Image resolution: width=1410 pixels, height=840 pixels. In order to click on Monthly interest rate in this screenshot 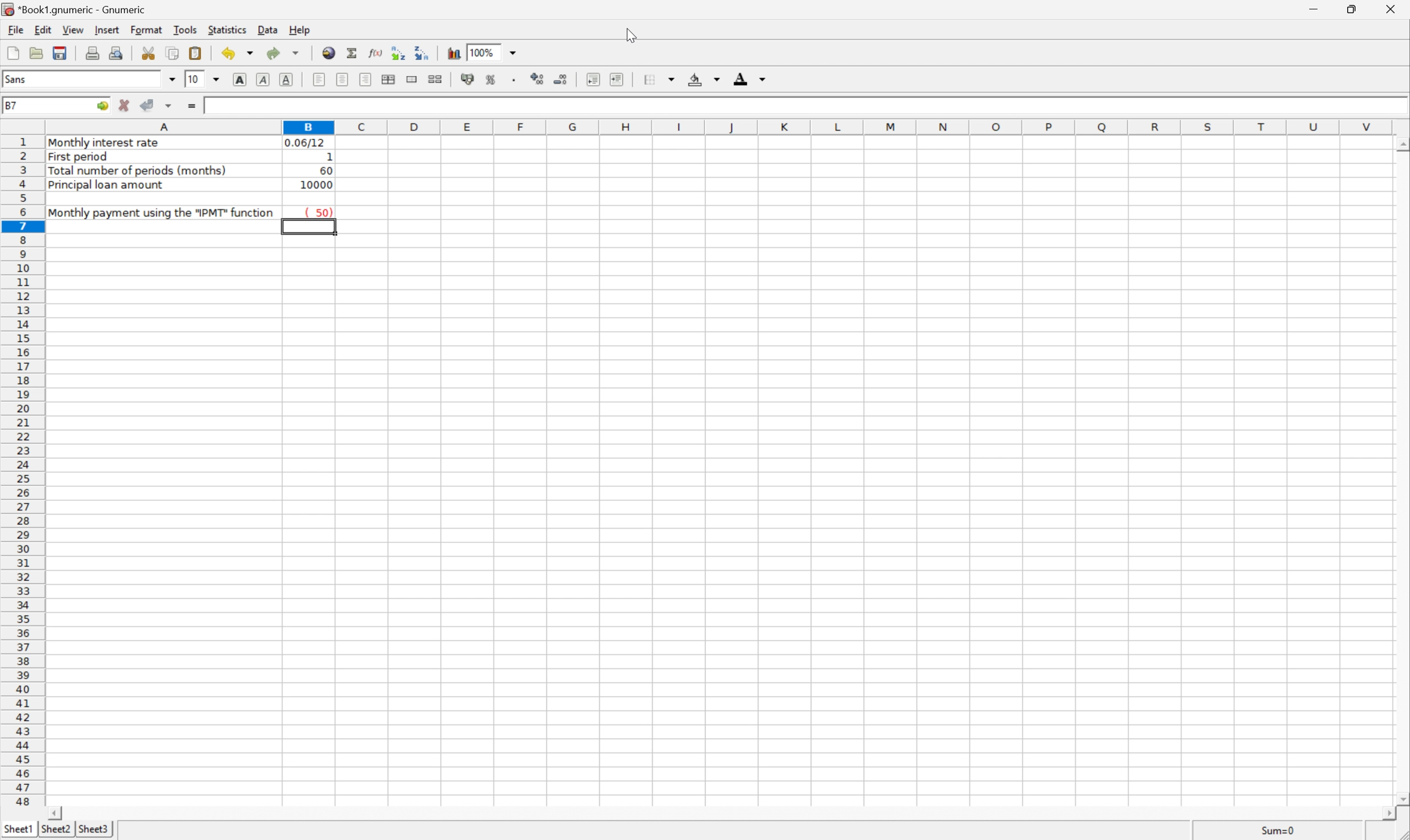, I will do `click(106, 144)`.